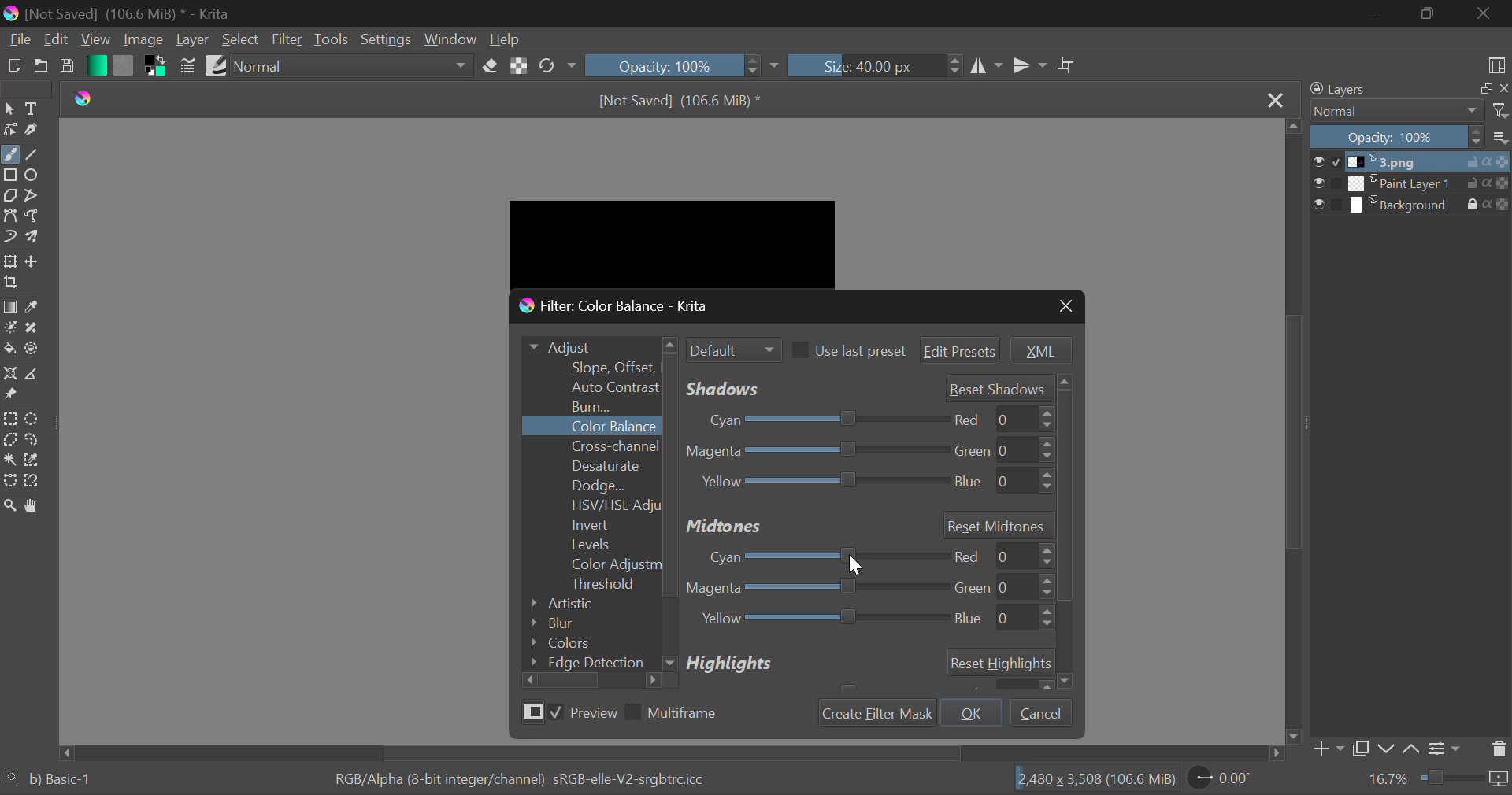 This screenshot has width=1512, height=795. What do you see at coordinates (36, 263) in the screenshot?
I see `Move Layer` at bounding box center [36, 263].